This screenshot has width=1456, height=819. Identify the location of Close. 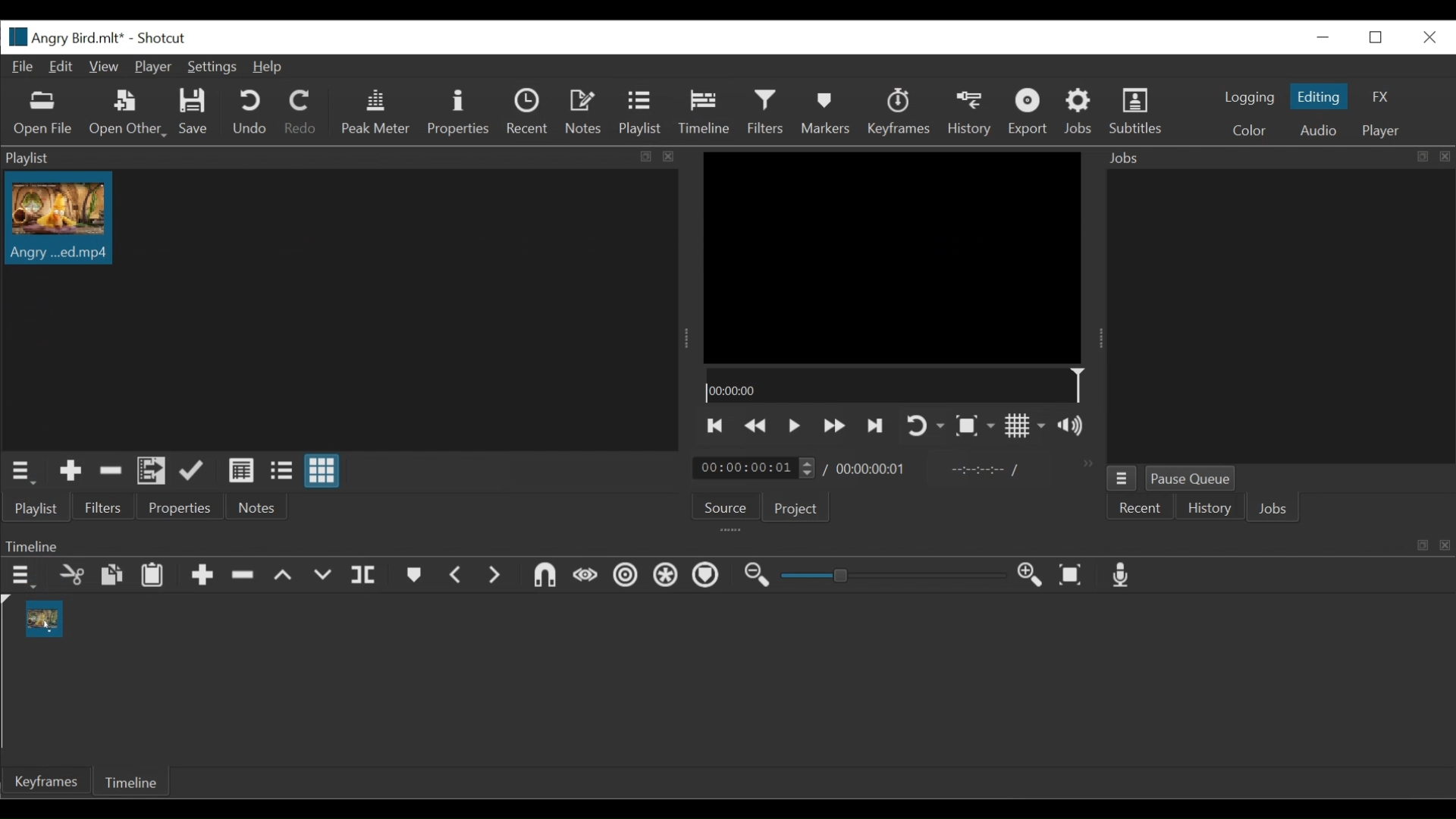
(1428, 38).